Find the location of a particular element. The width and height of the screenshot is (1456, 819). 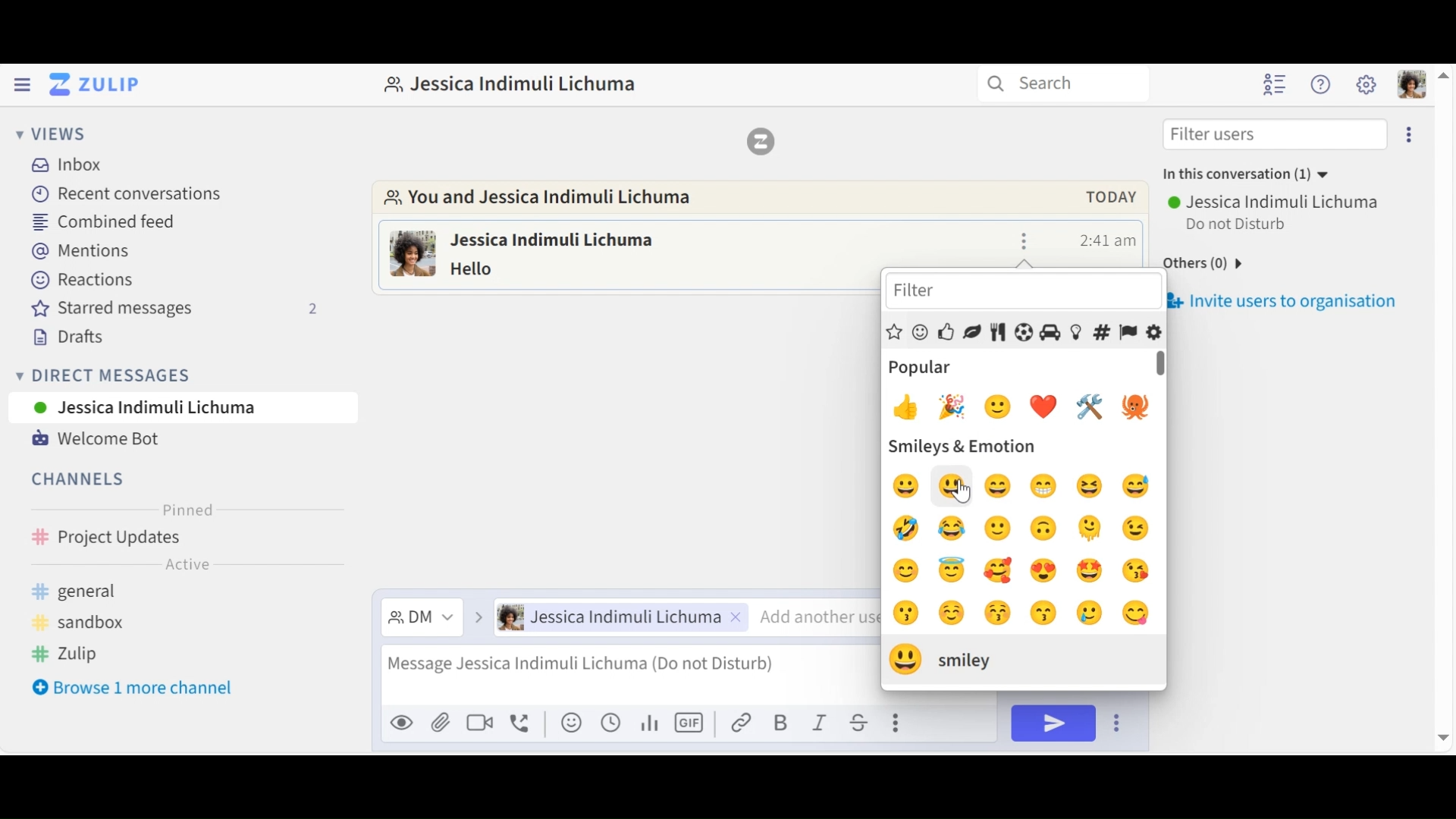

sweat smile is located at coordinates (1144, 488).